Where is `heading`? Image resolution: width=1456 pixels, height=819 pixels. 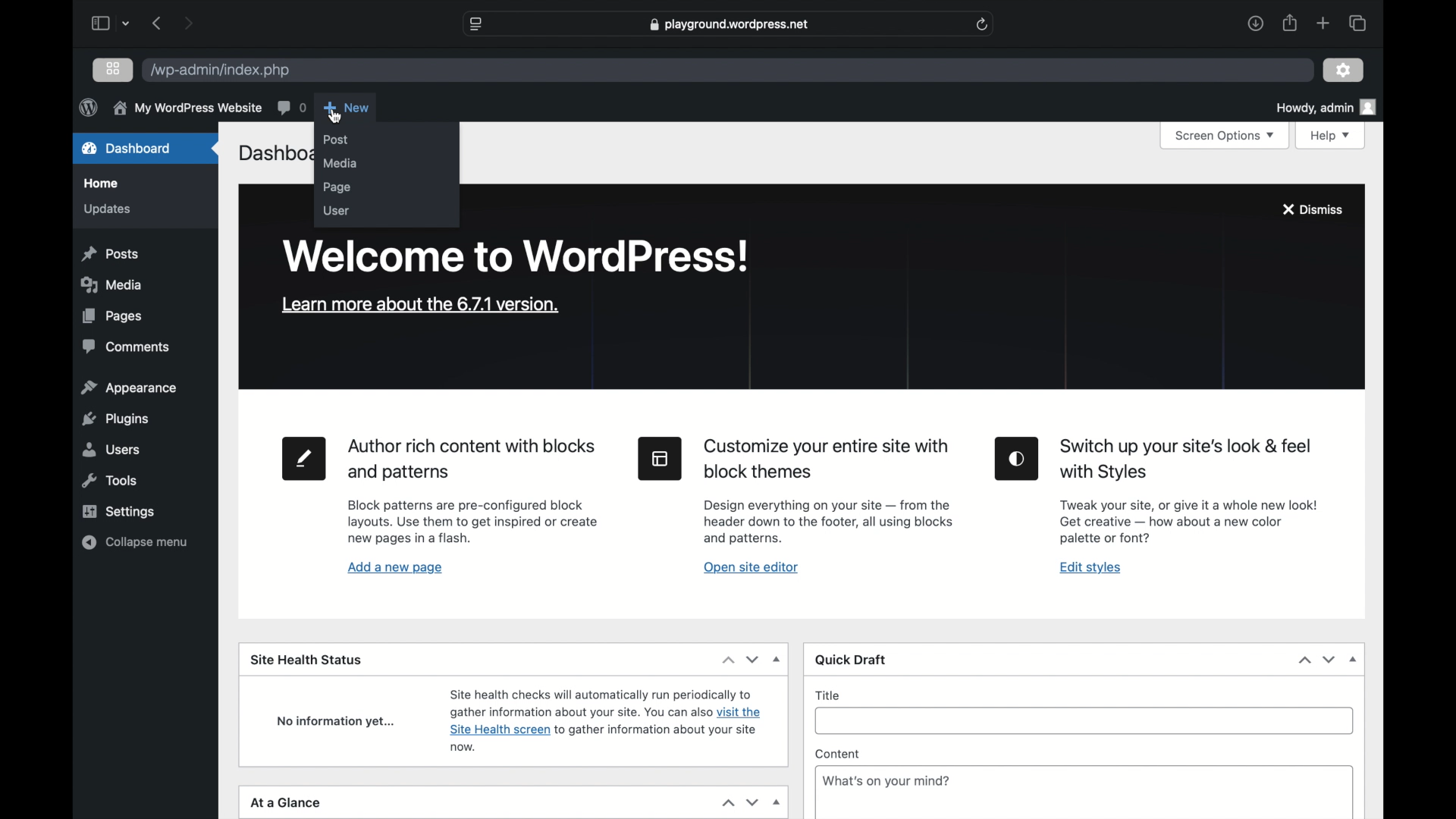
heading is located at coordinates (1188, 459).